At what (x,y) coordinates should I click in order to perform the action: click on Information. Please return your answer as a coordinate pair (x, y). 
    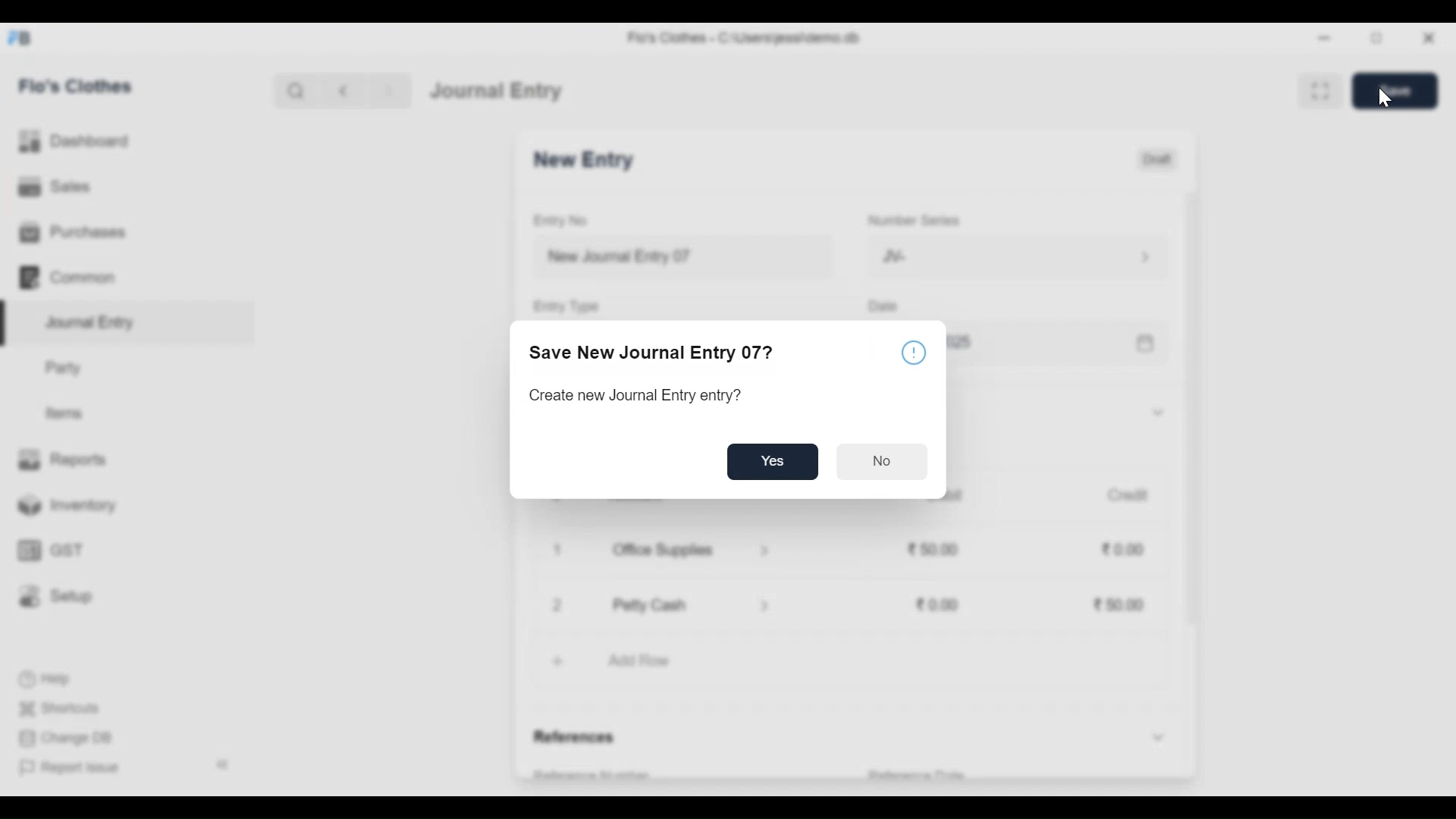
    Looking at the image, I should click on (915, 356).